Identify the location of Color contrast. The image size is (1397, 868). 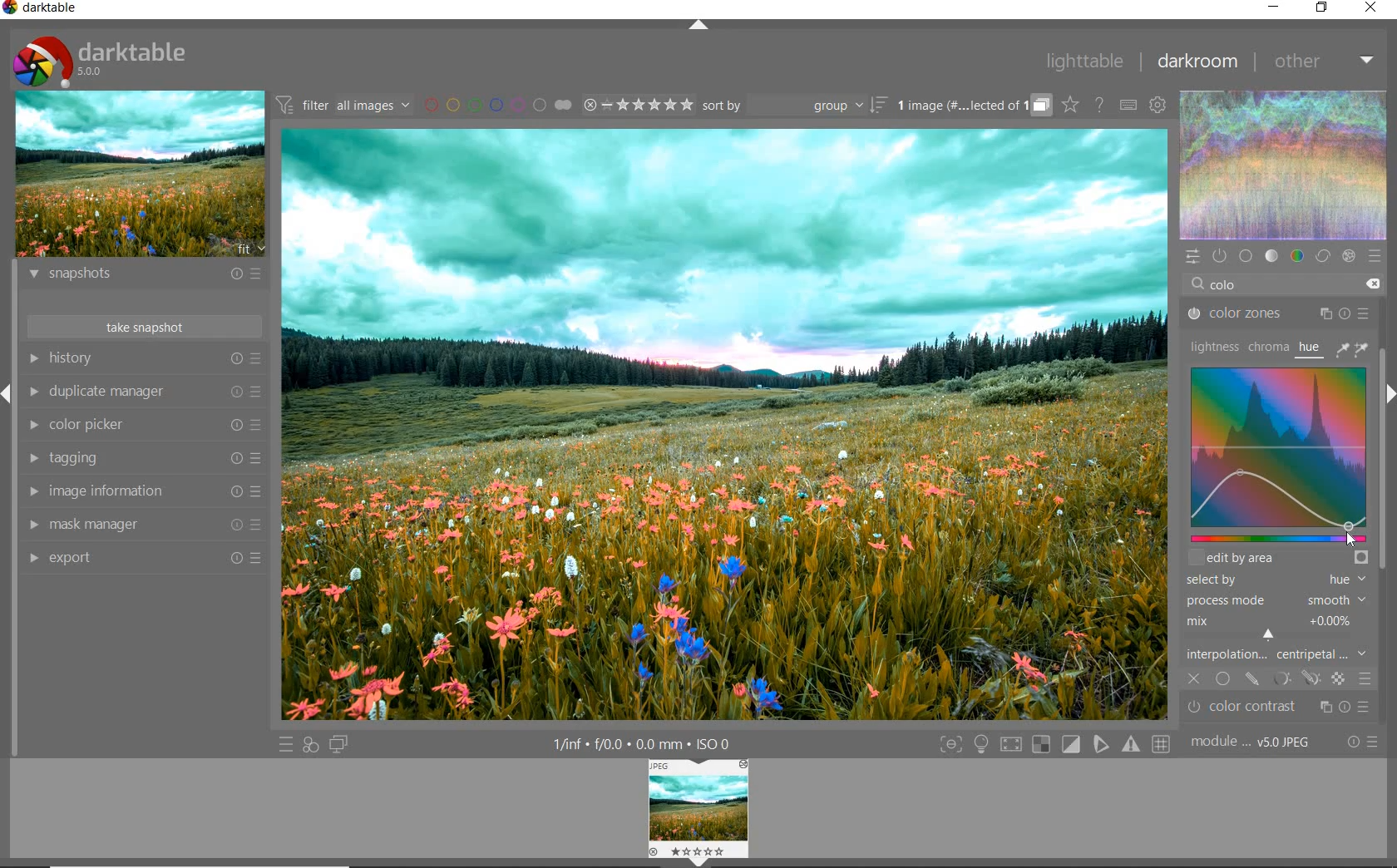
(1287, 708).